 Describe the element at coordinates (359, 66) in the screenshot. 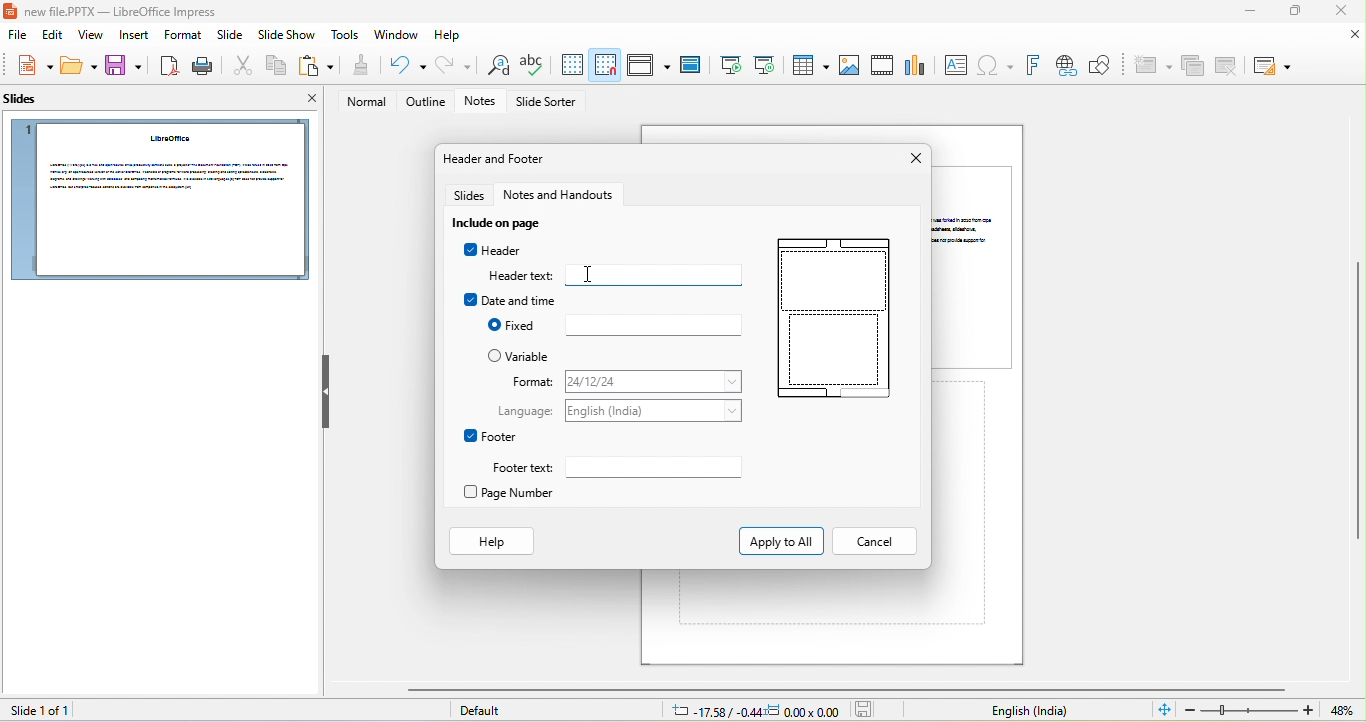

I see `clone formatting` at that location.